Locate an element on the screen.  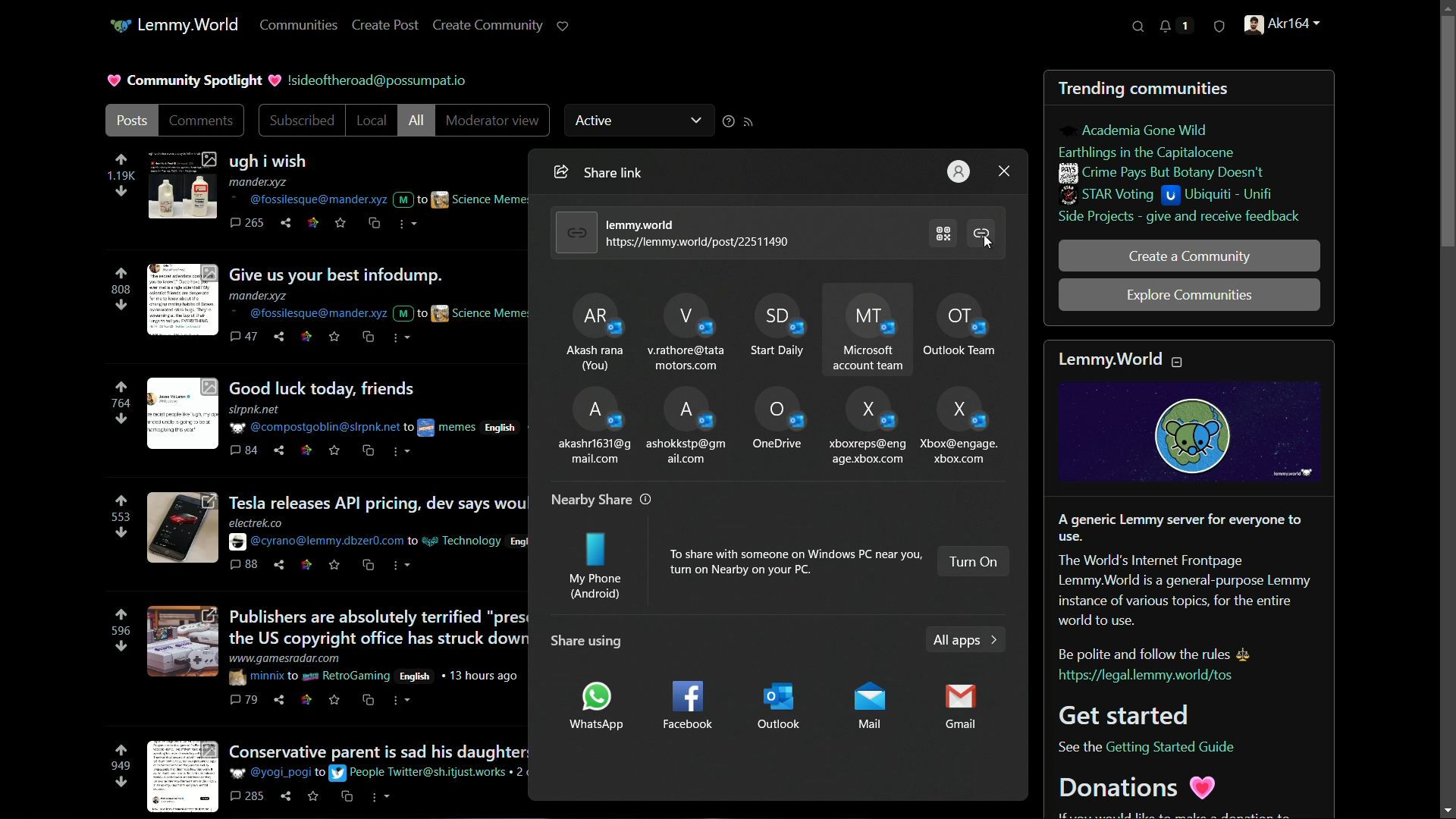
upvote is located at coordinates (122, 274).